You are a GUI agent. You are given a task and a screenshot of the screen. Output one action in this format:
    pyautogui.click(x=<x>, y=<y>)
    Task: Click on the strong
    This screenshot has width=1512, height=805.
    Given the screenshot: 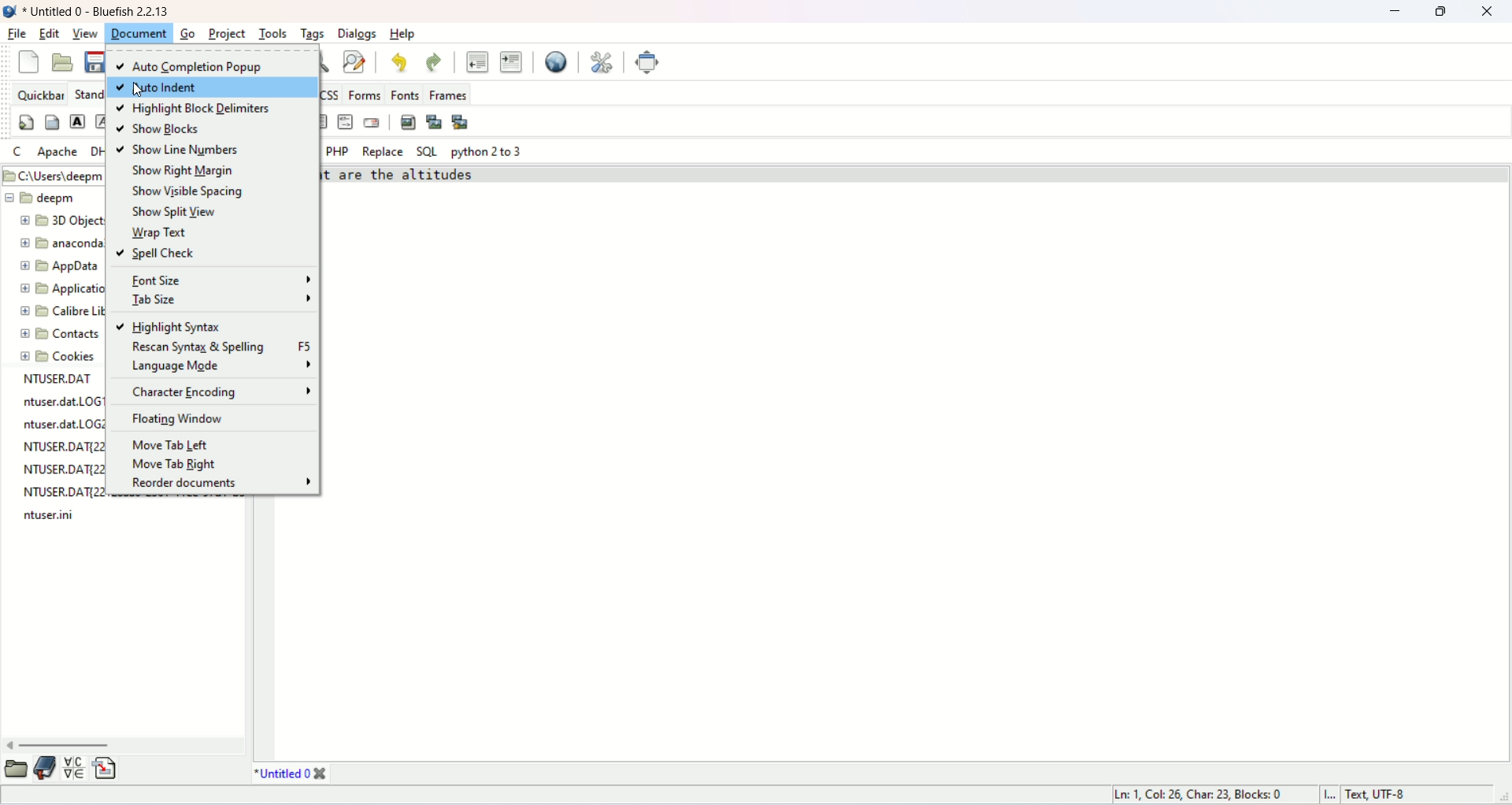 What is the action you would take?
    pyautogui.click(x=77, y=121)
    